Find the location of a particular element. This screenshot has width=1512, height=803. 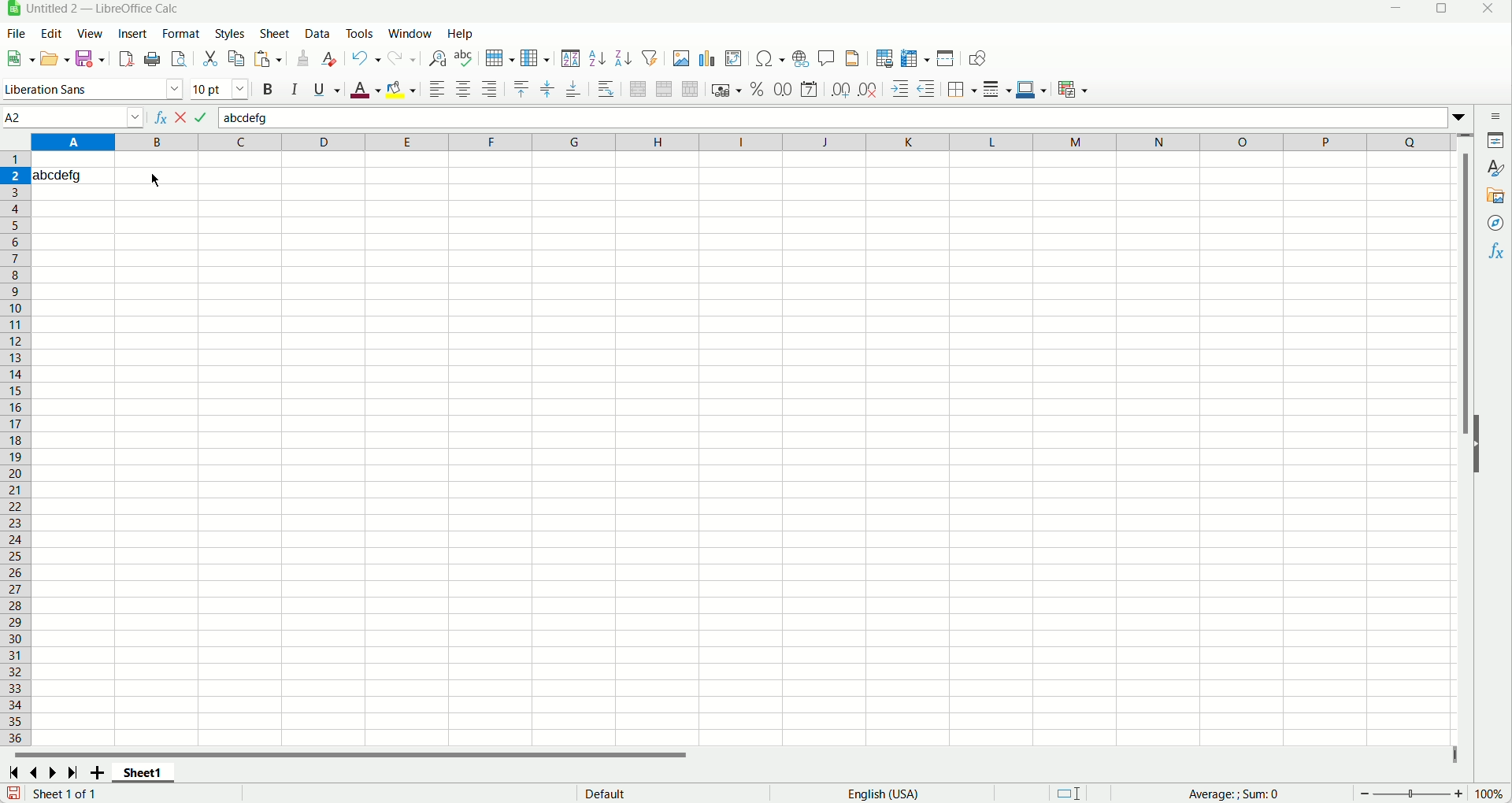

new is located at coordinates (22, 57).